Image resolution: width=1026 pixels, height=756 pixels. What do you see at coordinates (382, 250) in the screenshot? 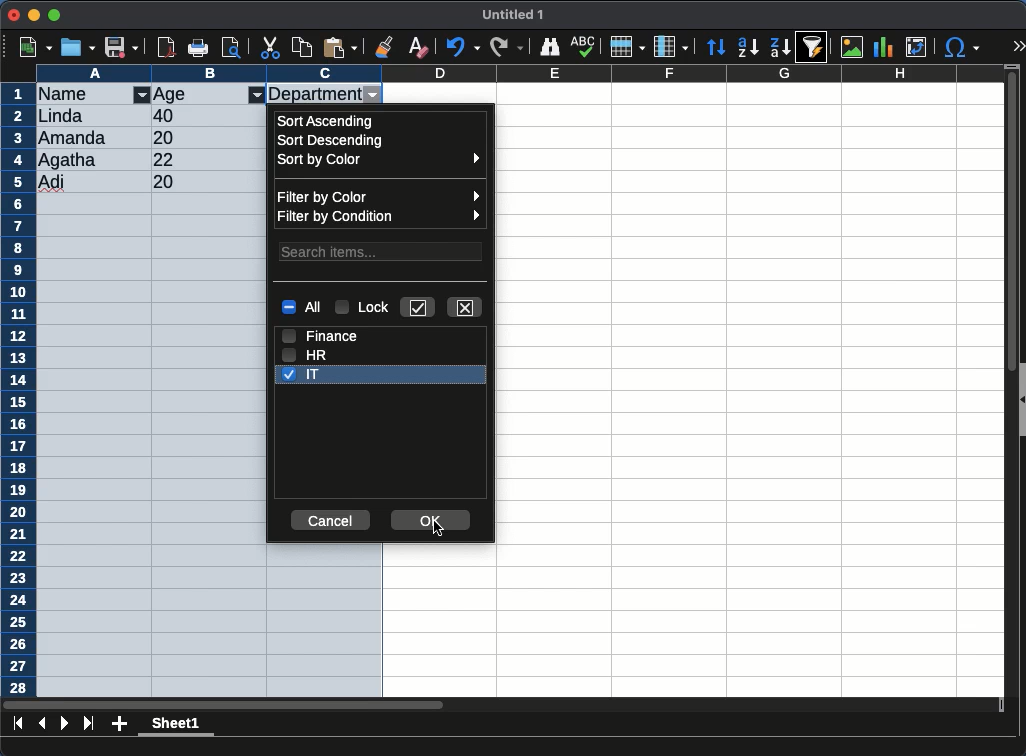
I see `search items` at bounding box center [382, 250].